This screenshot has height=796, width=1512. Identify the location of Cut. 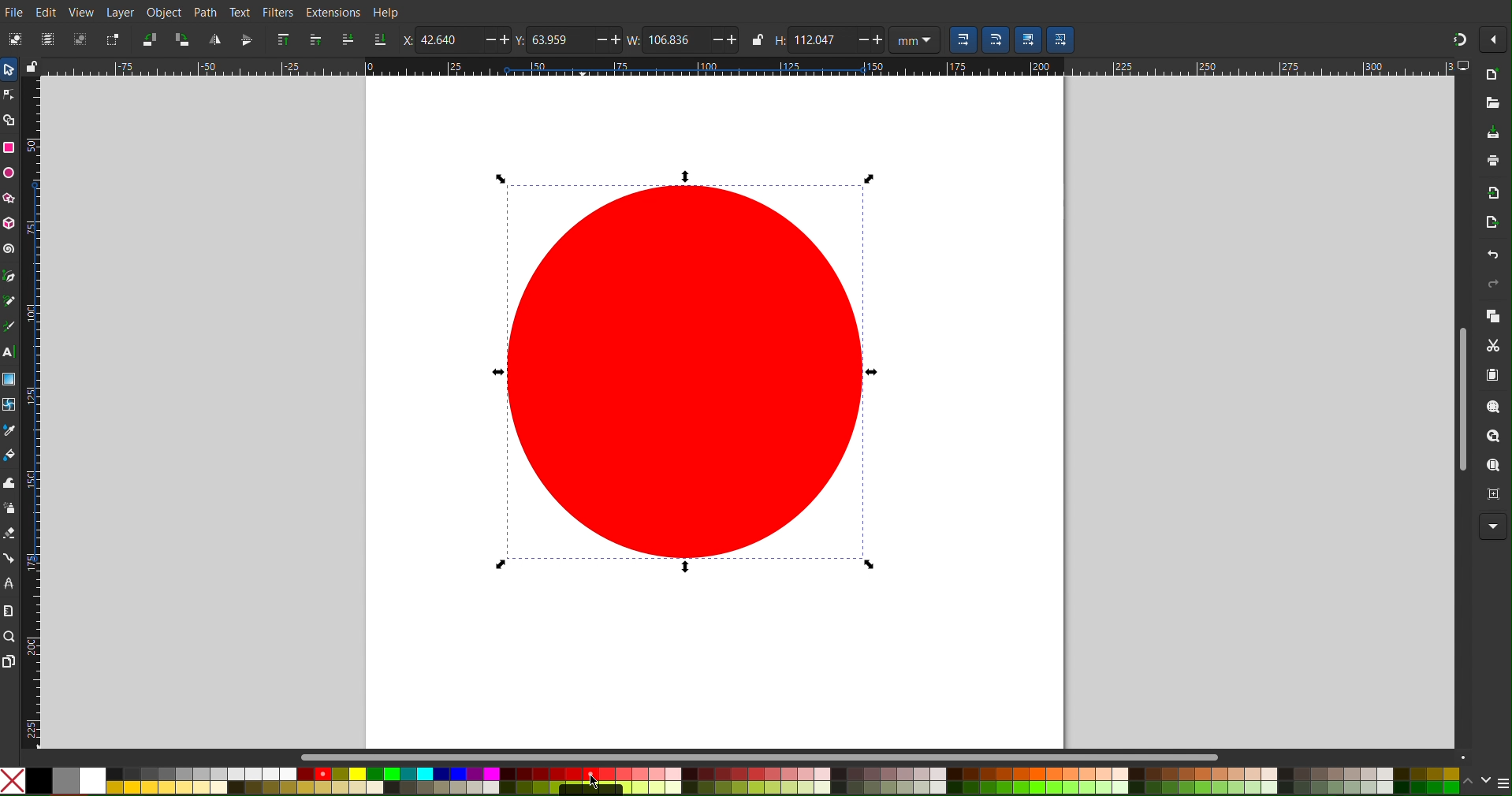
(1493, 345).